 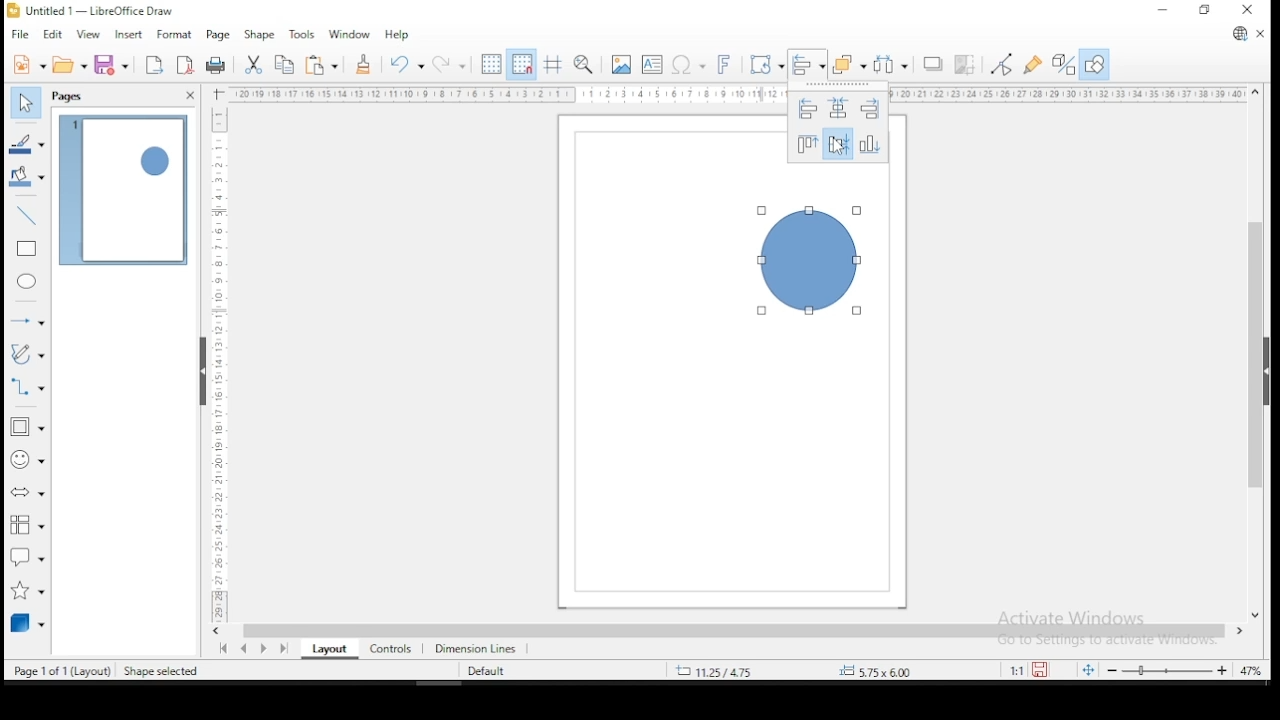 What do you see at coordinates (24, 525) in the screenshot?
I see `flowchart` at bounding box center [24, 525].